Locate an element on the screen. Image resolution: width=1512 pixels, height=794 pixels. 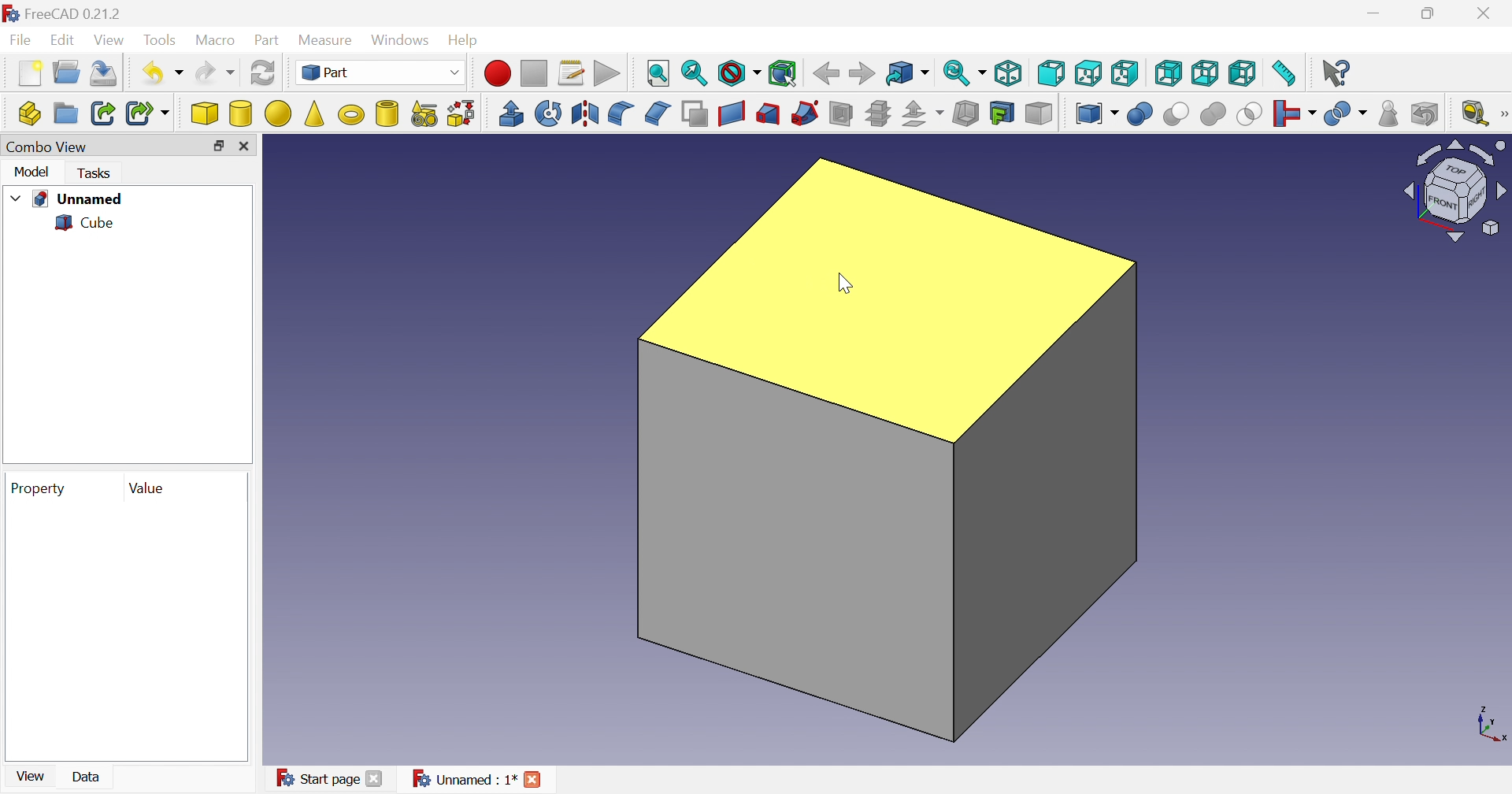
Measure is located at coordinates (329, 42).